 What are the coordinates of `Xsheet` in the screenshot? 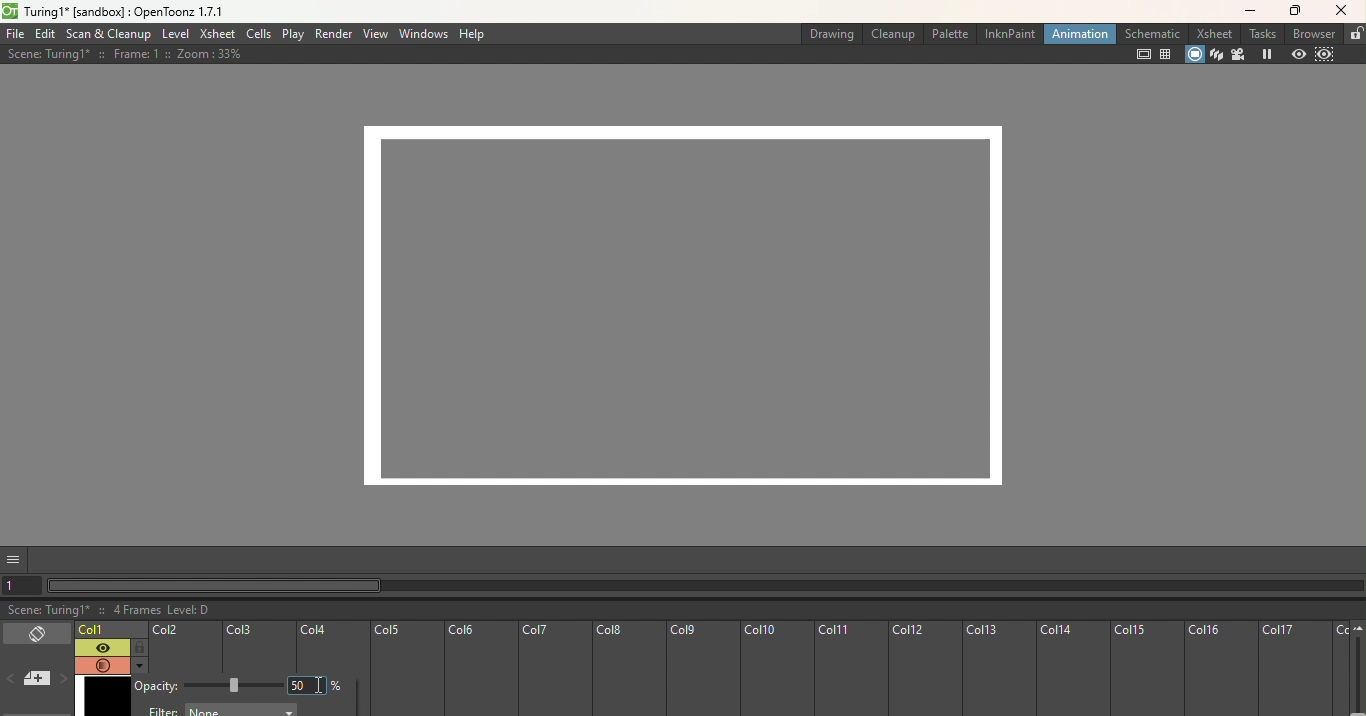 It's located at (1210, 34).